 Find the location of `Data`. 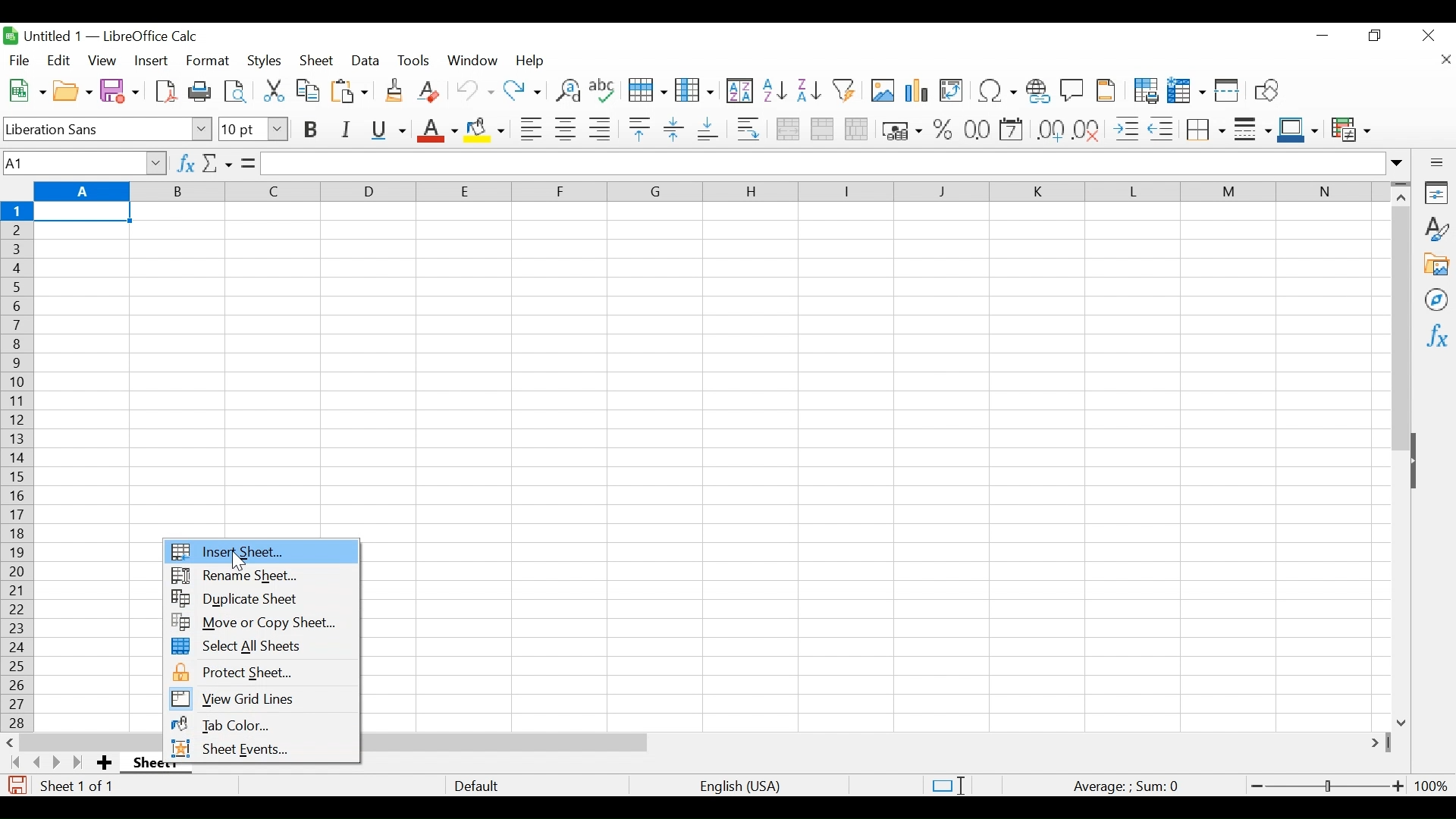

Data is located at coordinates (366, 61).